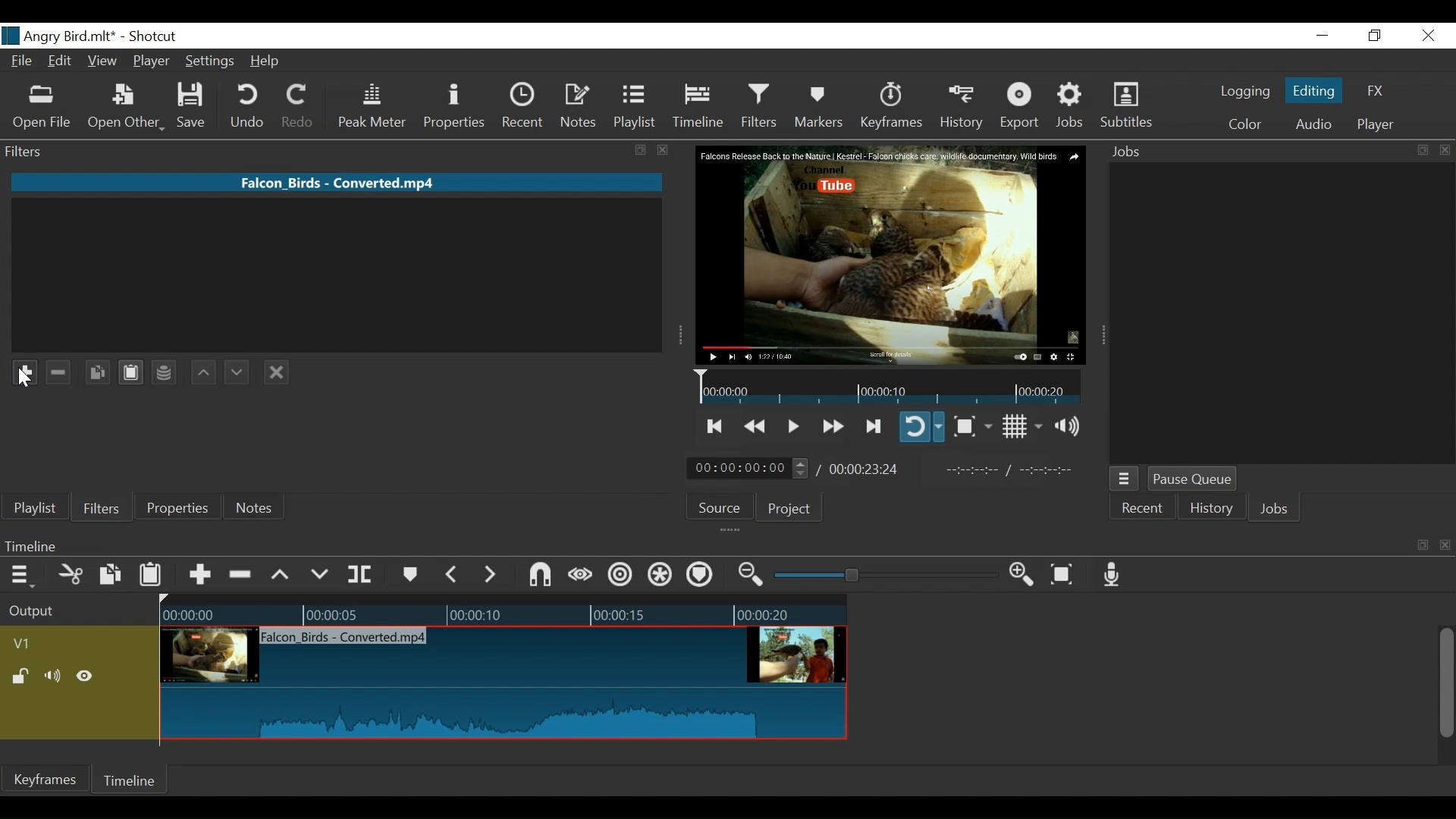 The image size is (1456, 819). What do you see at coordinates (152, 63) in the screenshot?
I see `Player` at bounding box center [152, 63].